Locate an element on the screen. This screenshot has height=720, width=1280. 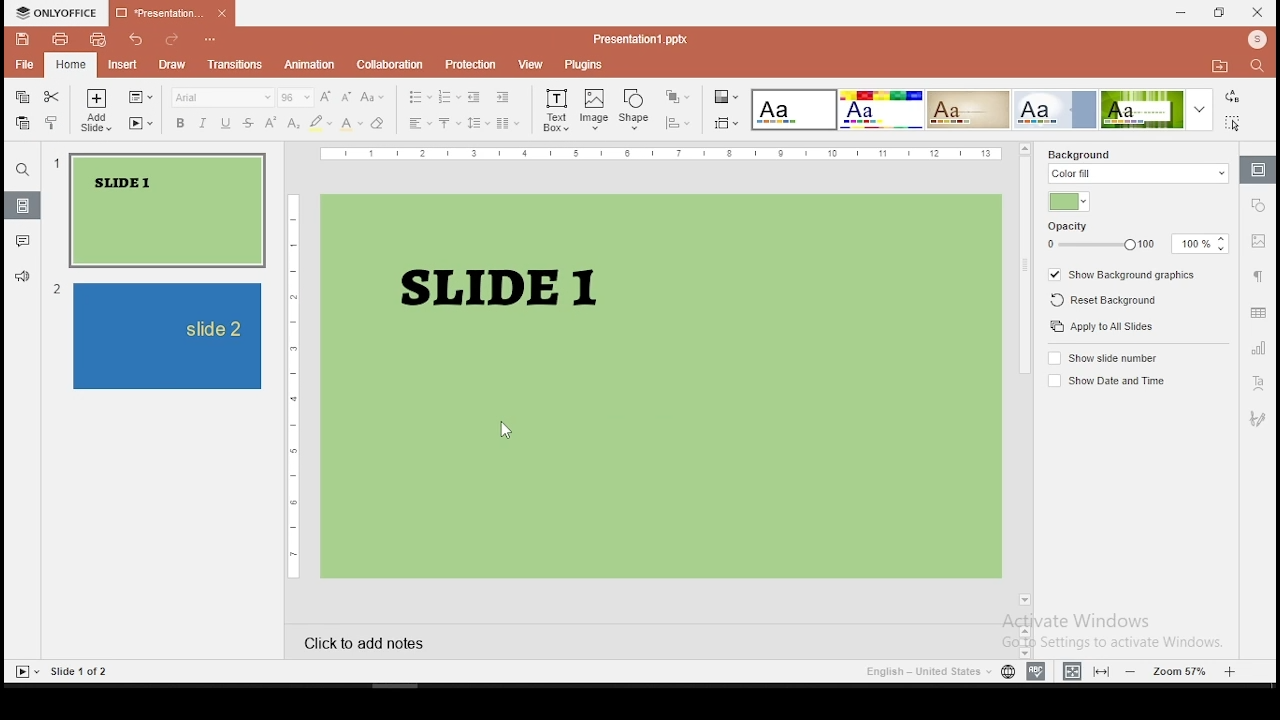
language is located at coordinates (928, 672).